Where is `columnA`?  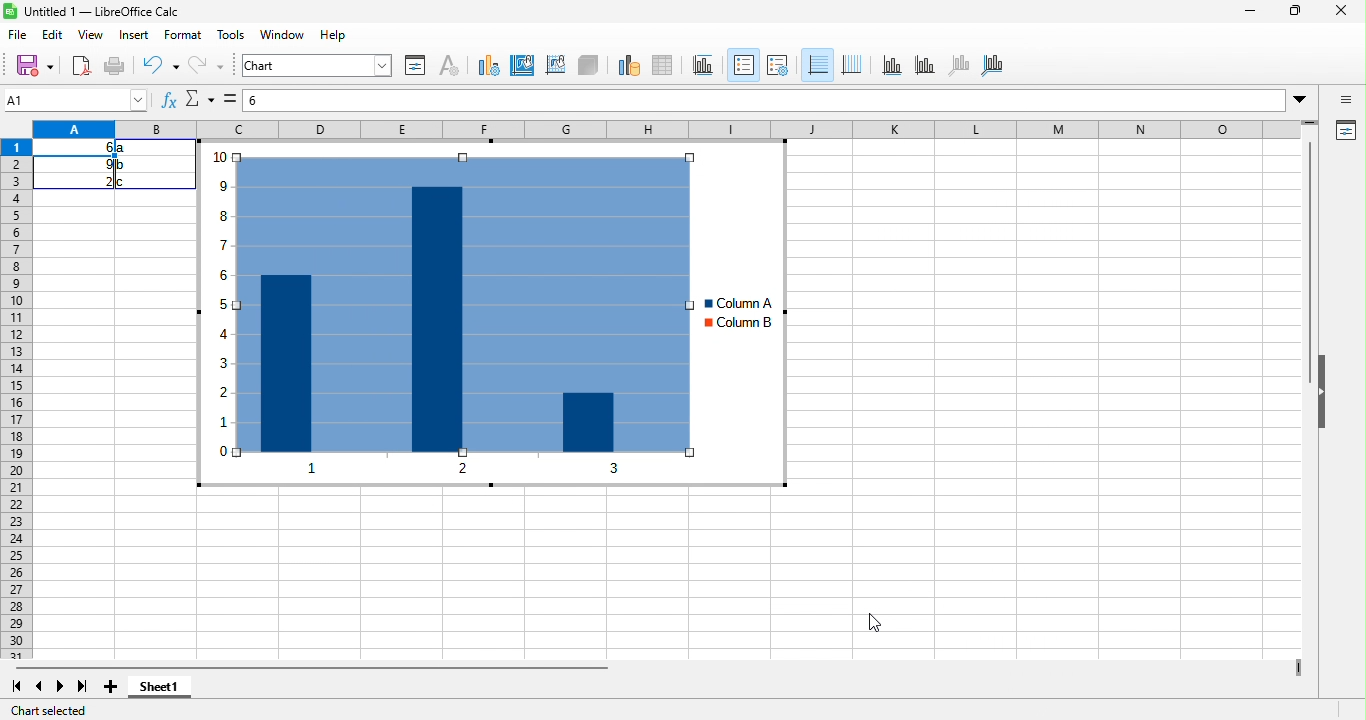
columnA is located at coordinates (731, 302).